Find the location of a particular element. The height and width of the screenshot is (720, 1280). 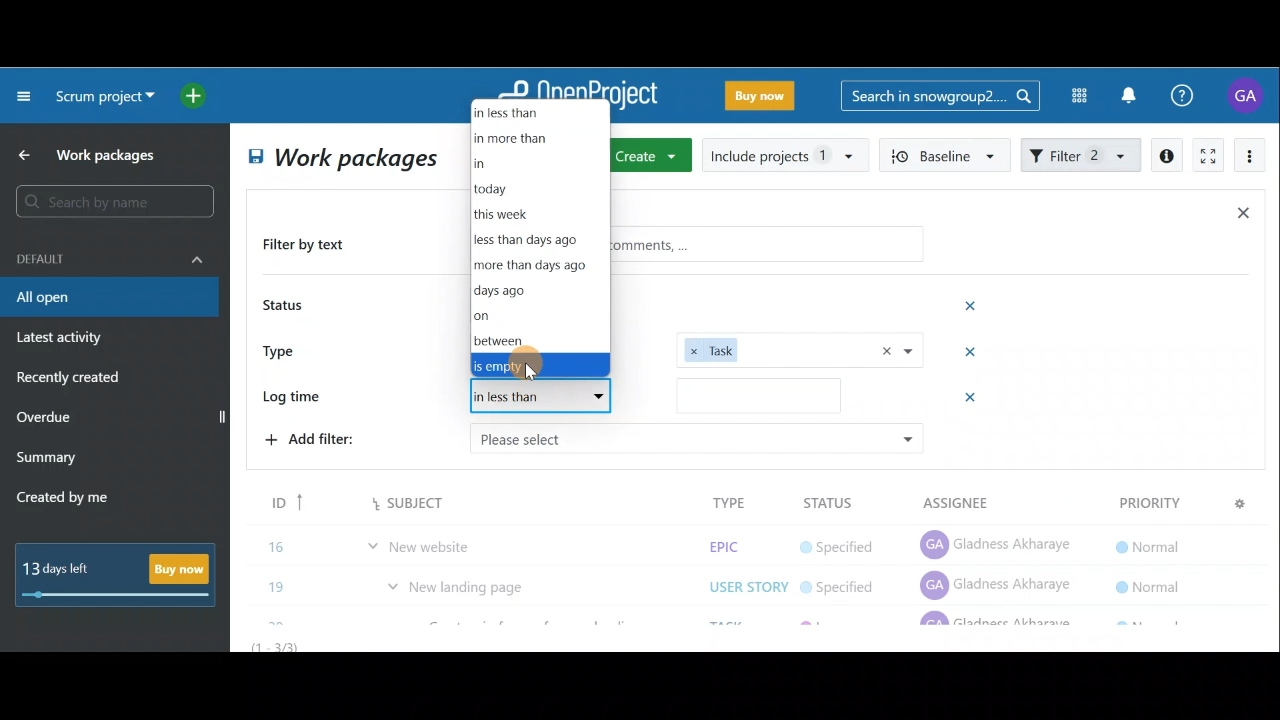

Recently created is located at coordinates (71, 380).